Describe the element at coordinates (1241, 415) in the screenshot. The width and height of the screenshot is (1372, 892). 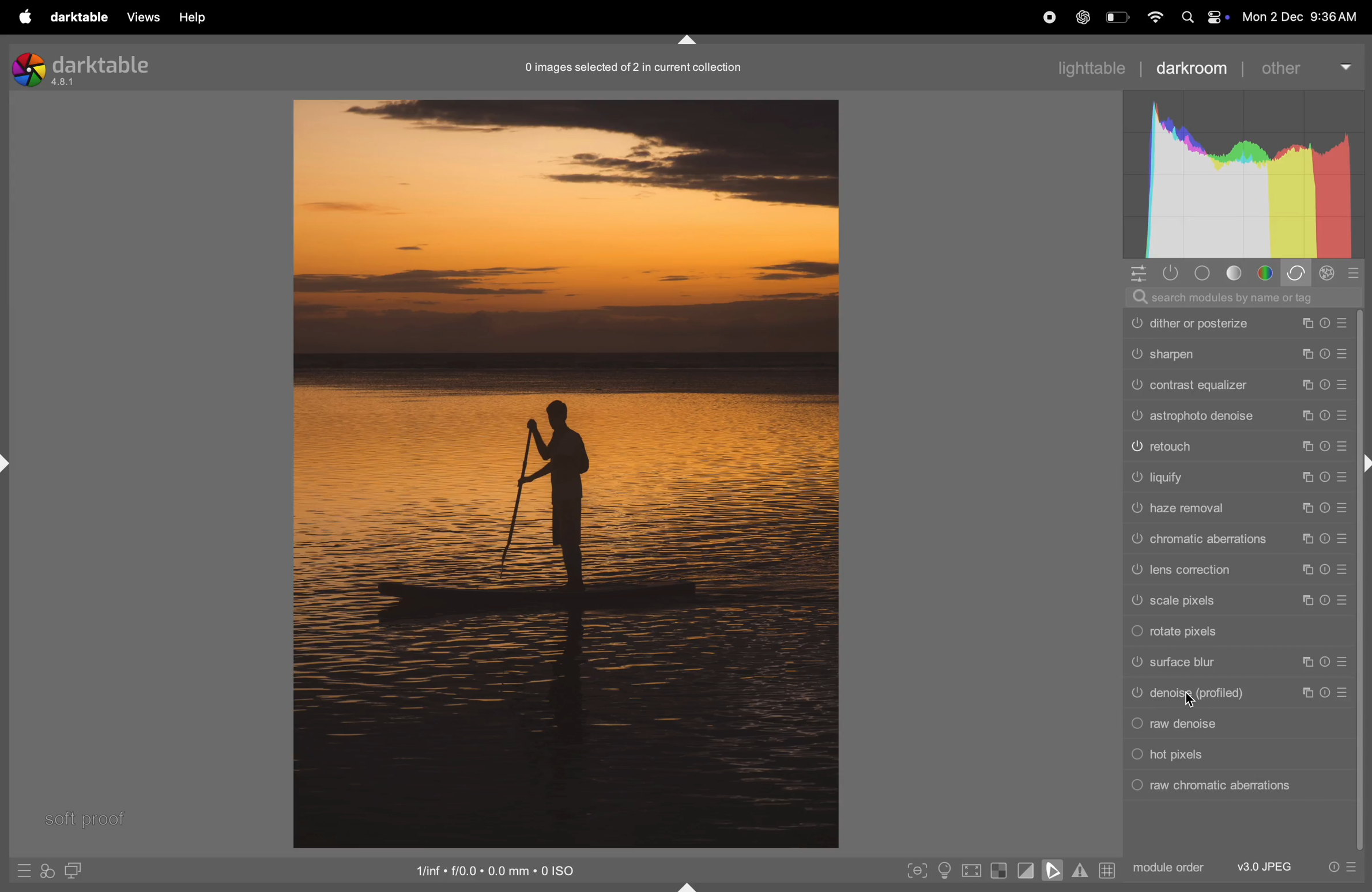
I see `astrophoto denosie` at that location.